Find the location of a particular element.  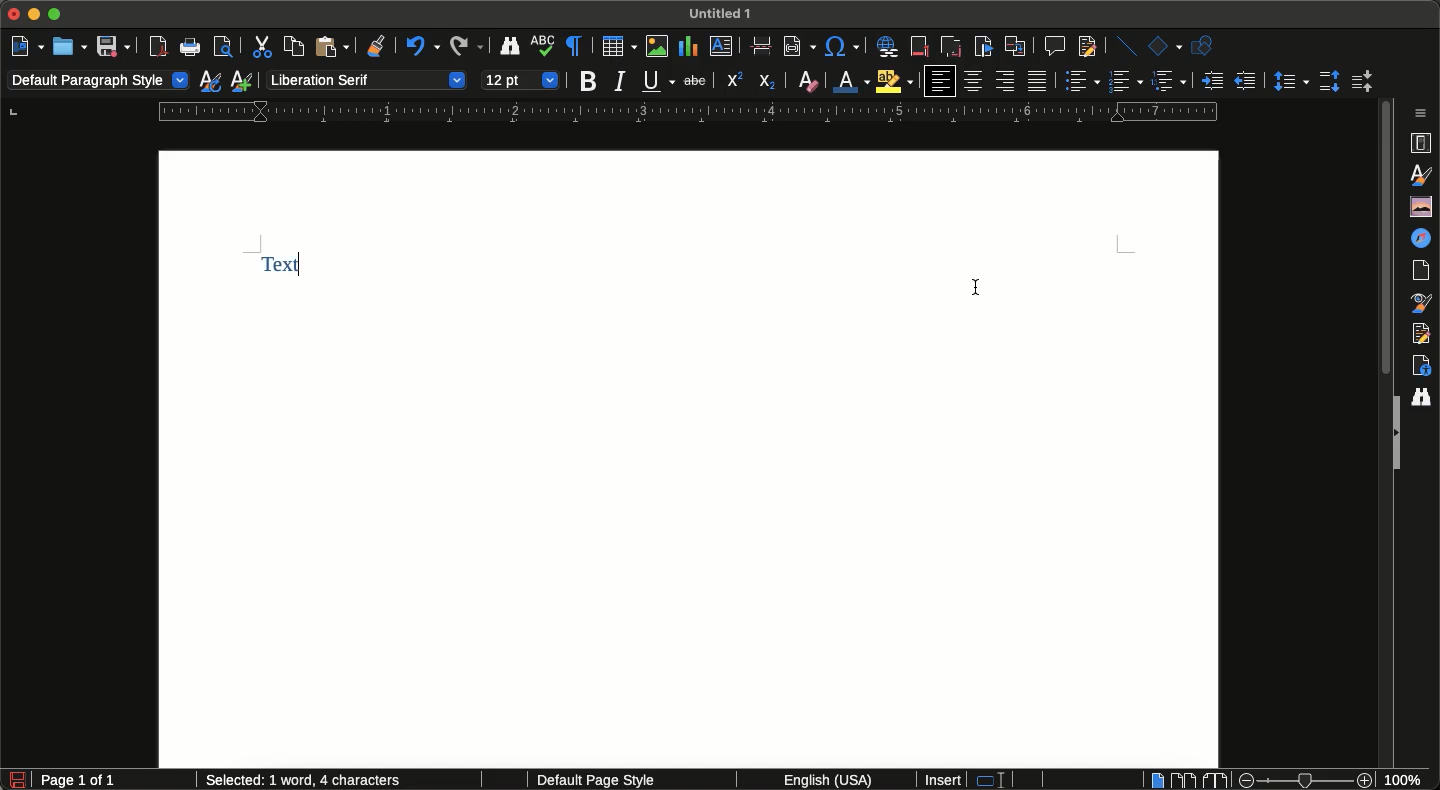

Inline is located at coordinates (763, 48).